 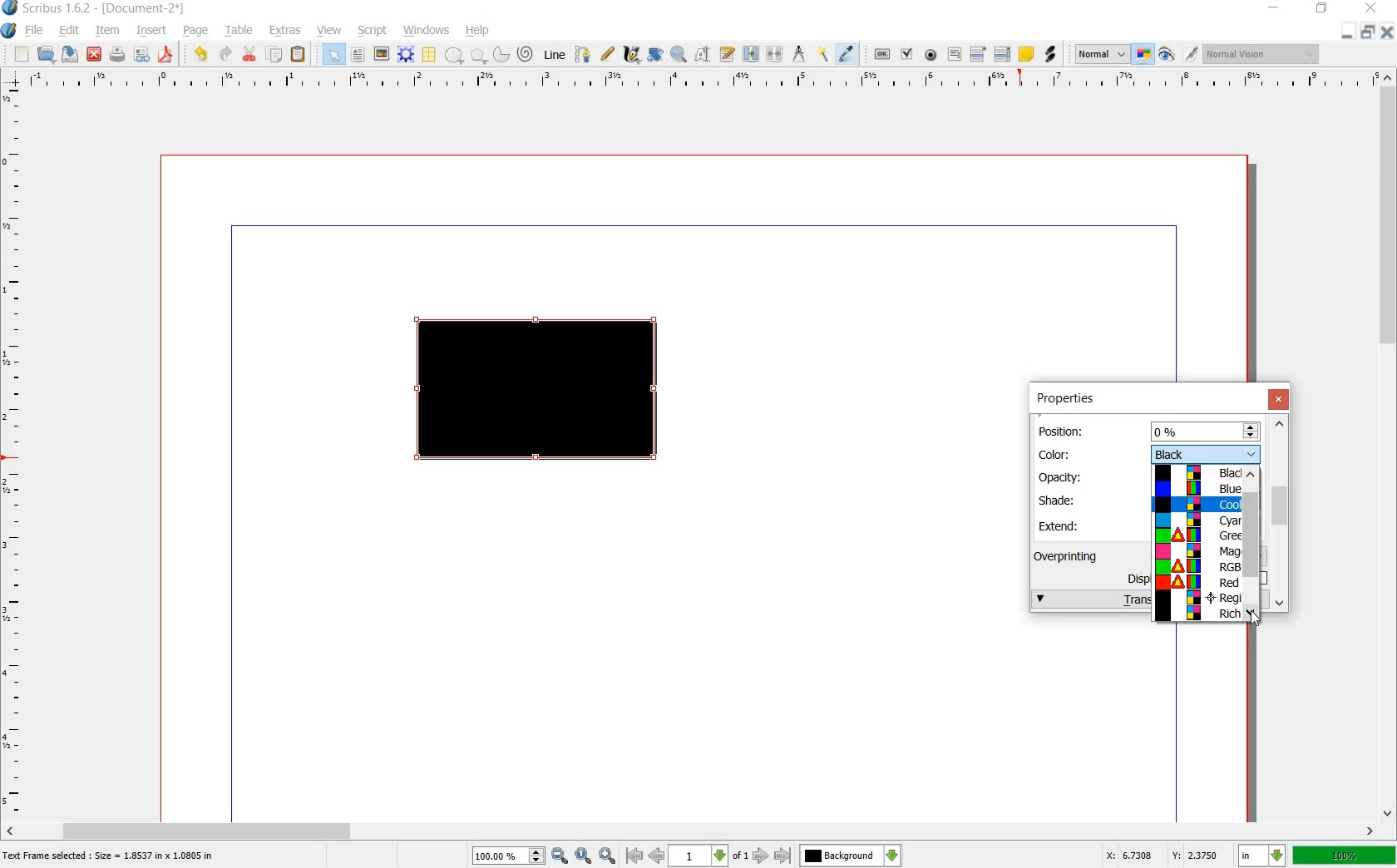 I want to click on link text frame, so click(x=750, y=55).